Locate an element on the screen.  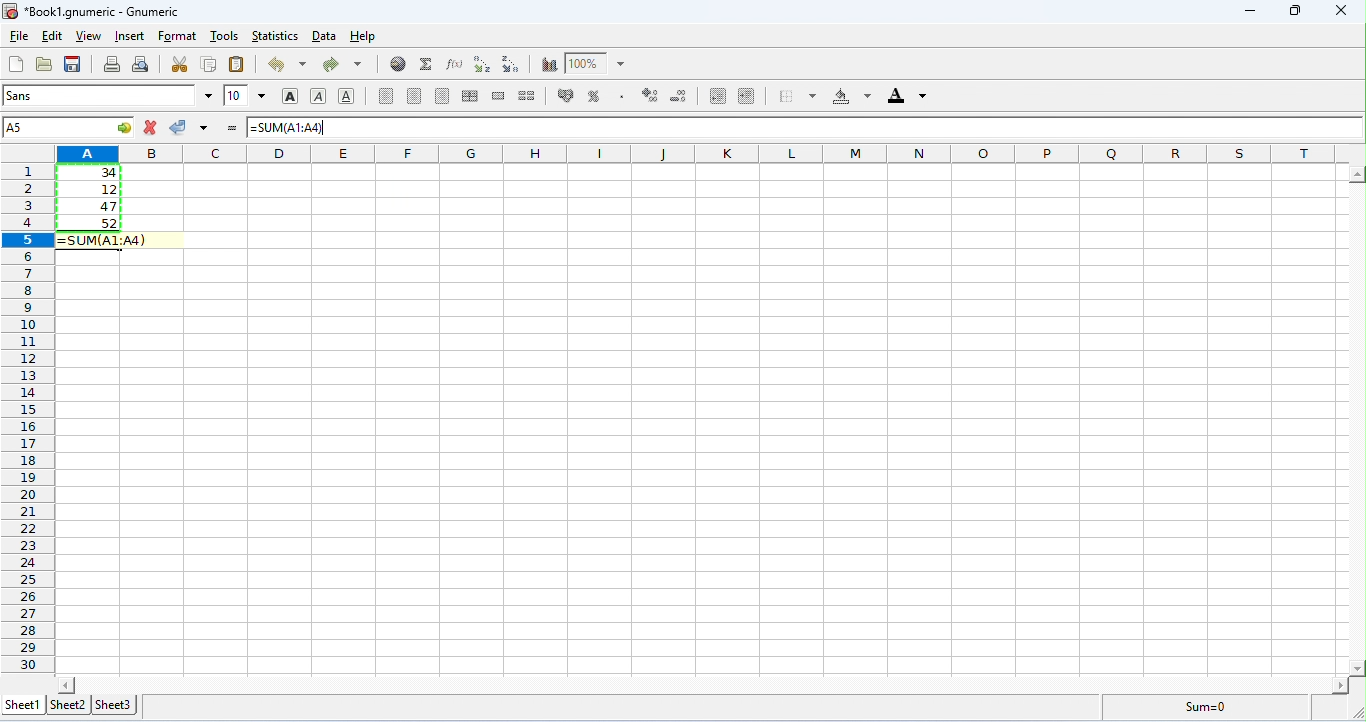
borders is located at coordinates (797, 95).